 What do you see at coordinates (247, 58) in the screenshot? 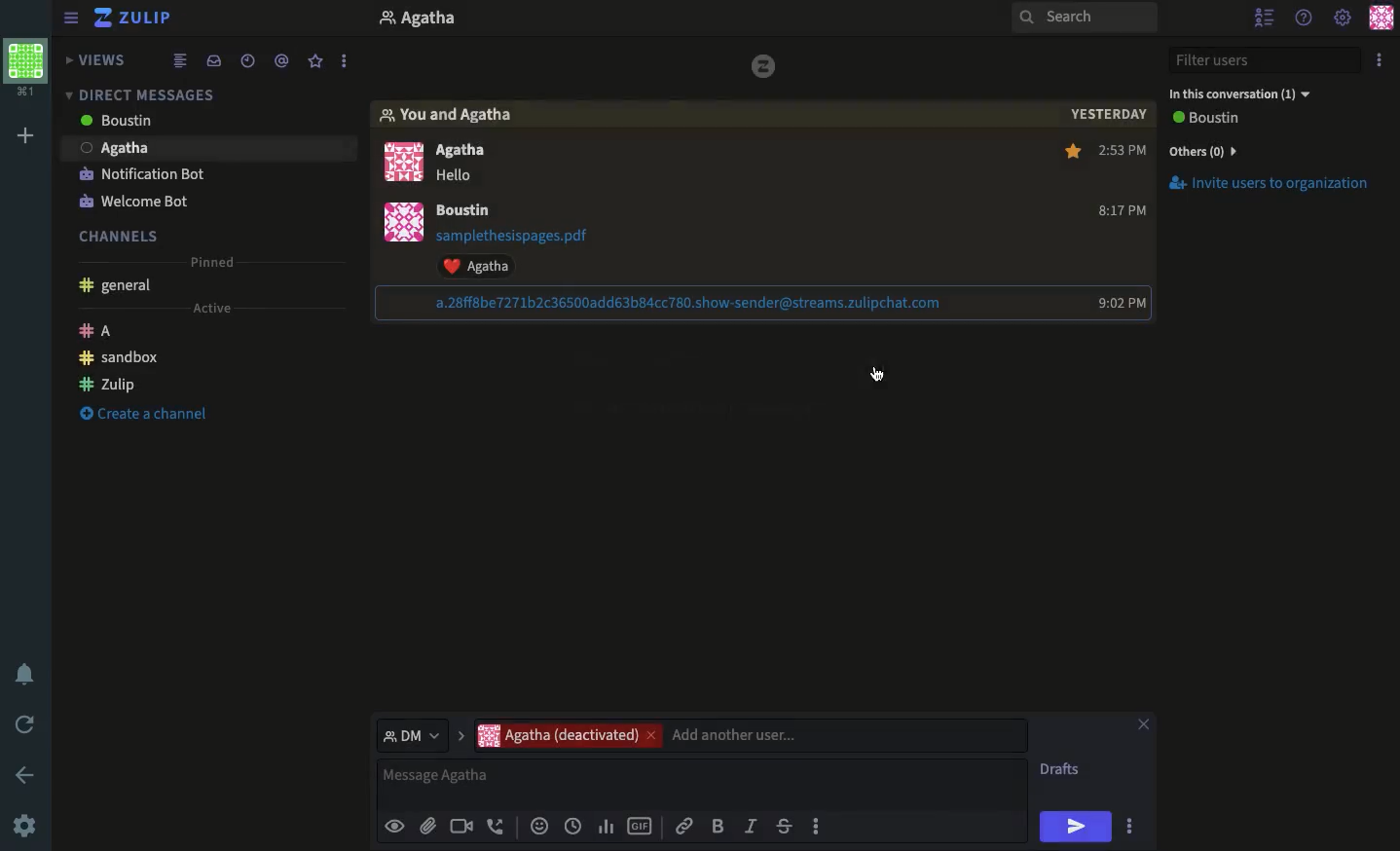
I see `Time` at bounding box center [247, 58].